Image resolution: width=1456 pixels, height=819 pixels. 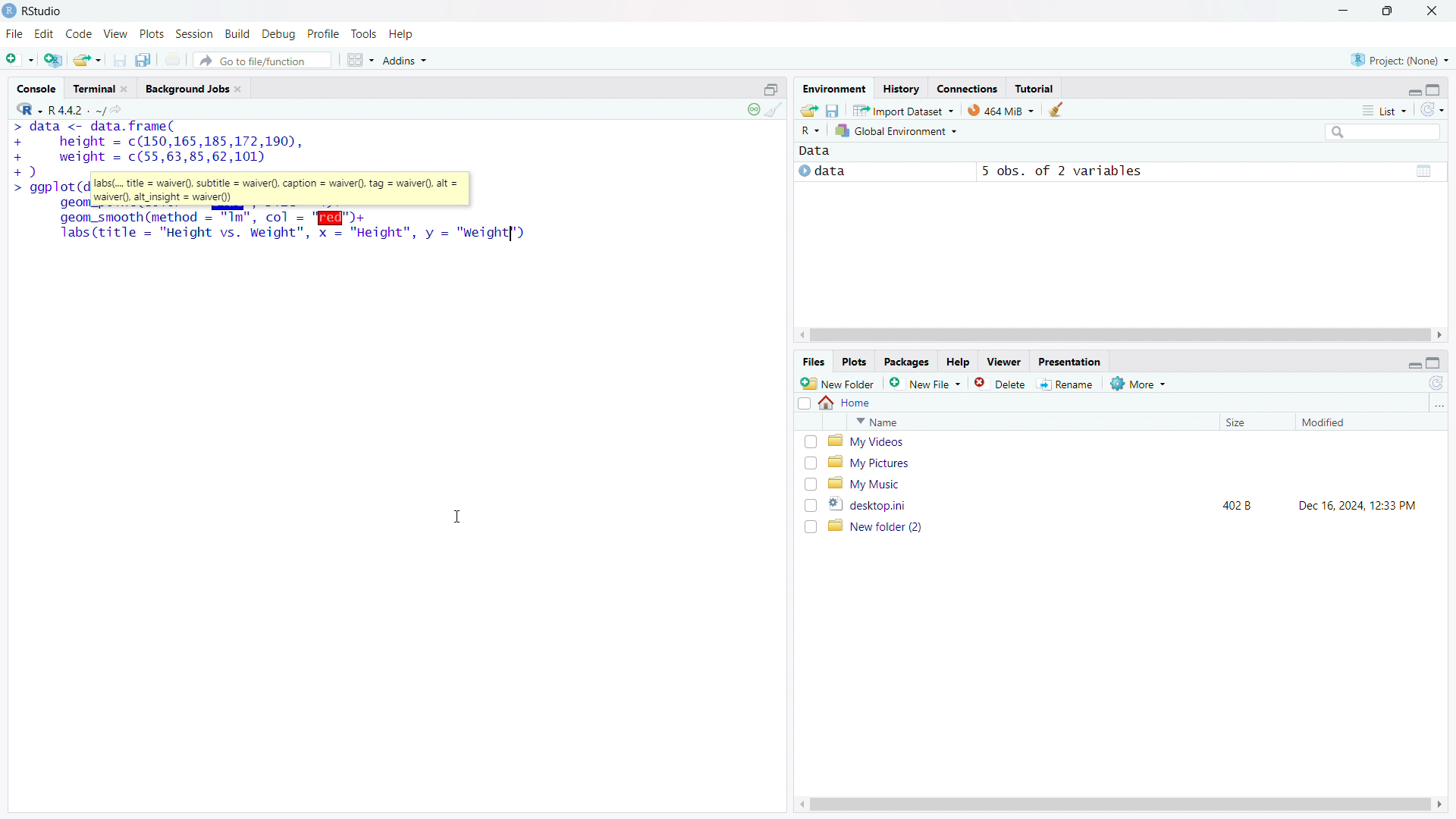 I want to click on +), so click(x=25, y=171).